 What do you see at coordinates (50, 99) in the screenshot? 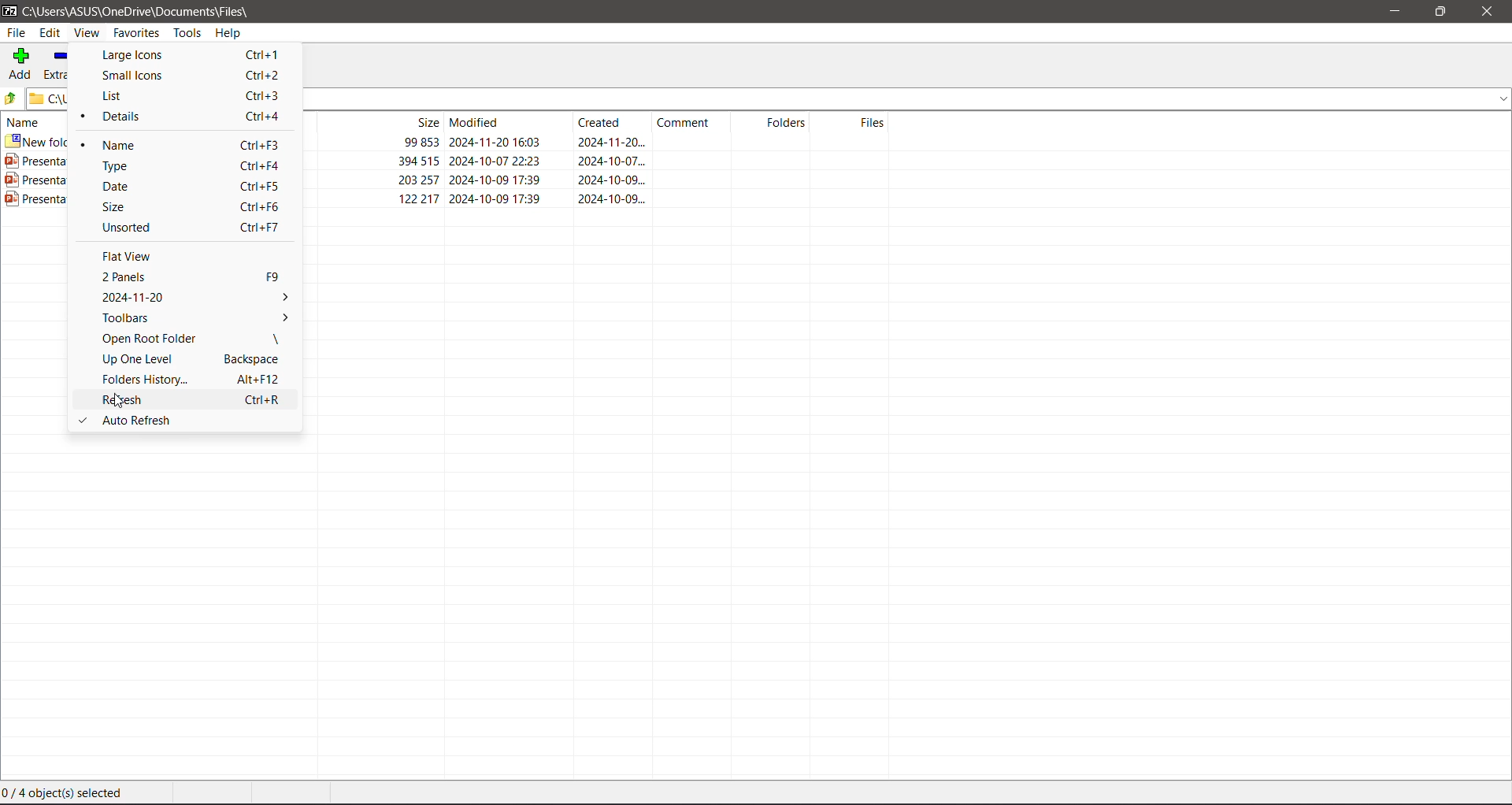
I see `folder address` at bounding box center [50, 99].